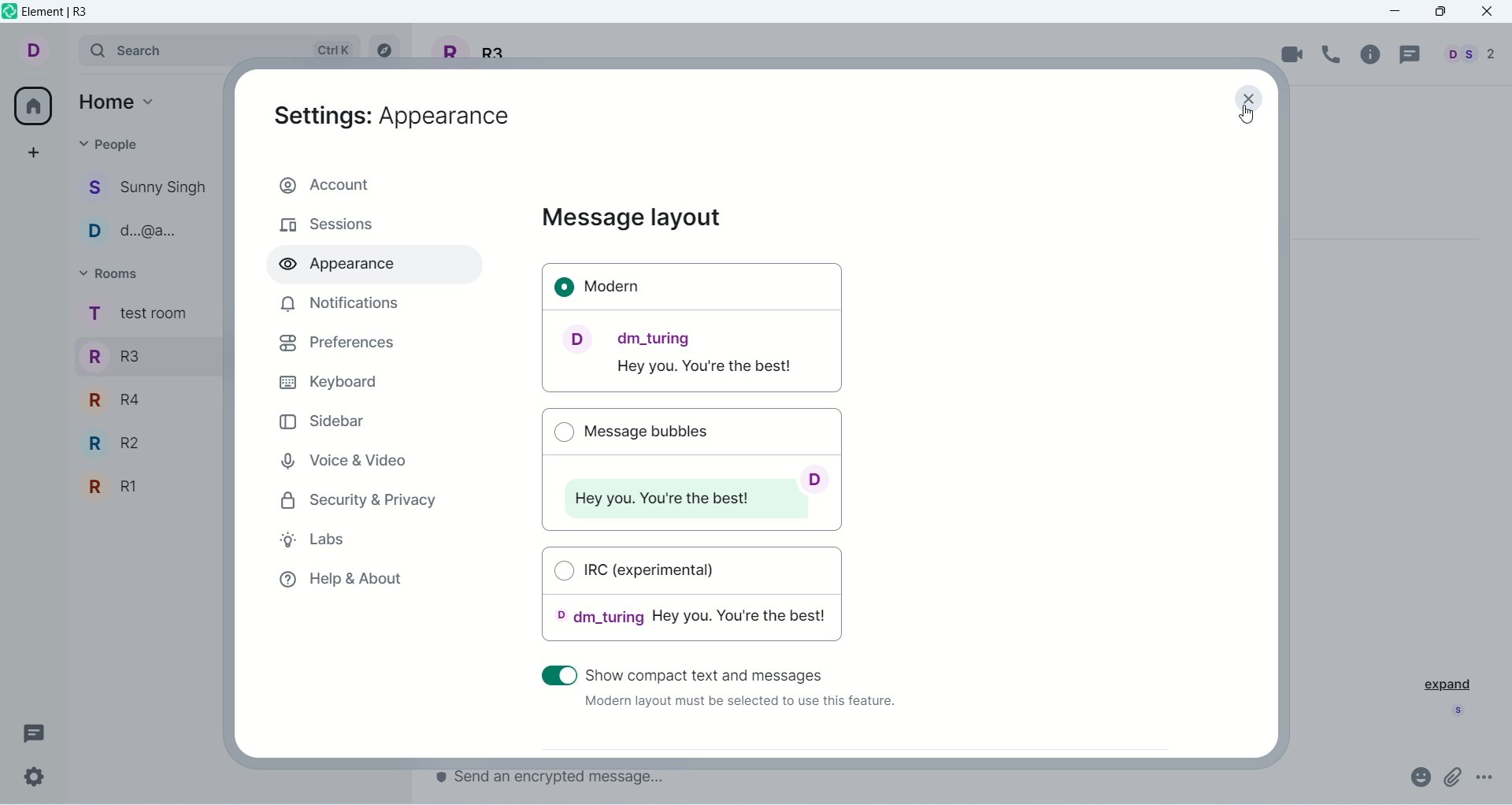  I want to click on close, so click(1489, 13).